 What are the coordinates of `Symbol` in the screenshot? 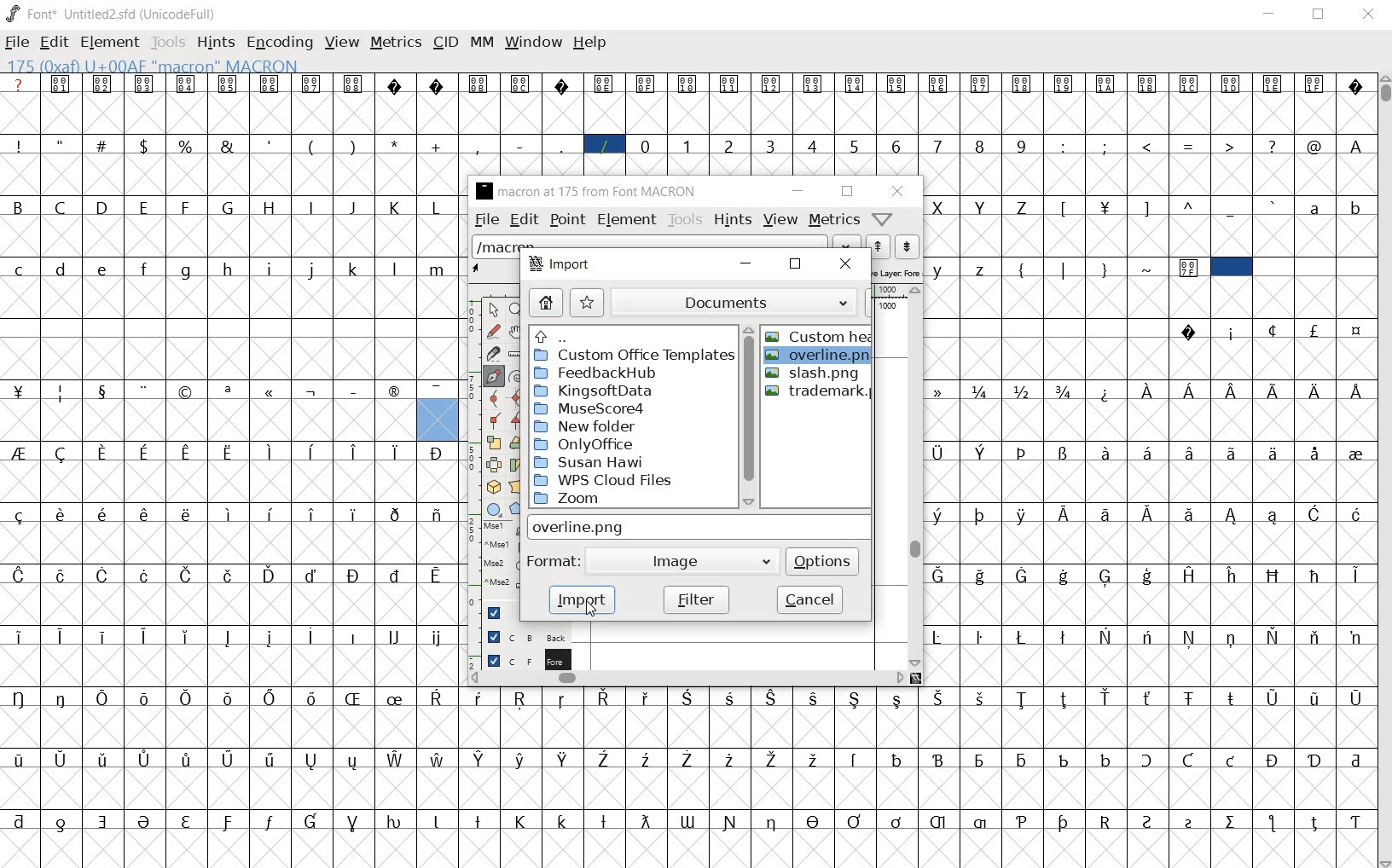 It's located at (1191, 85).